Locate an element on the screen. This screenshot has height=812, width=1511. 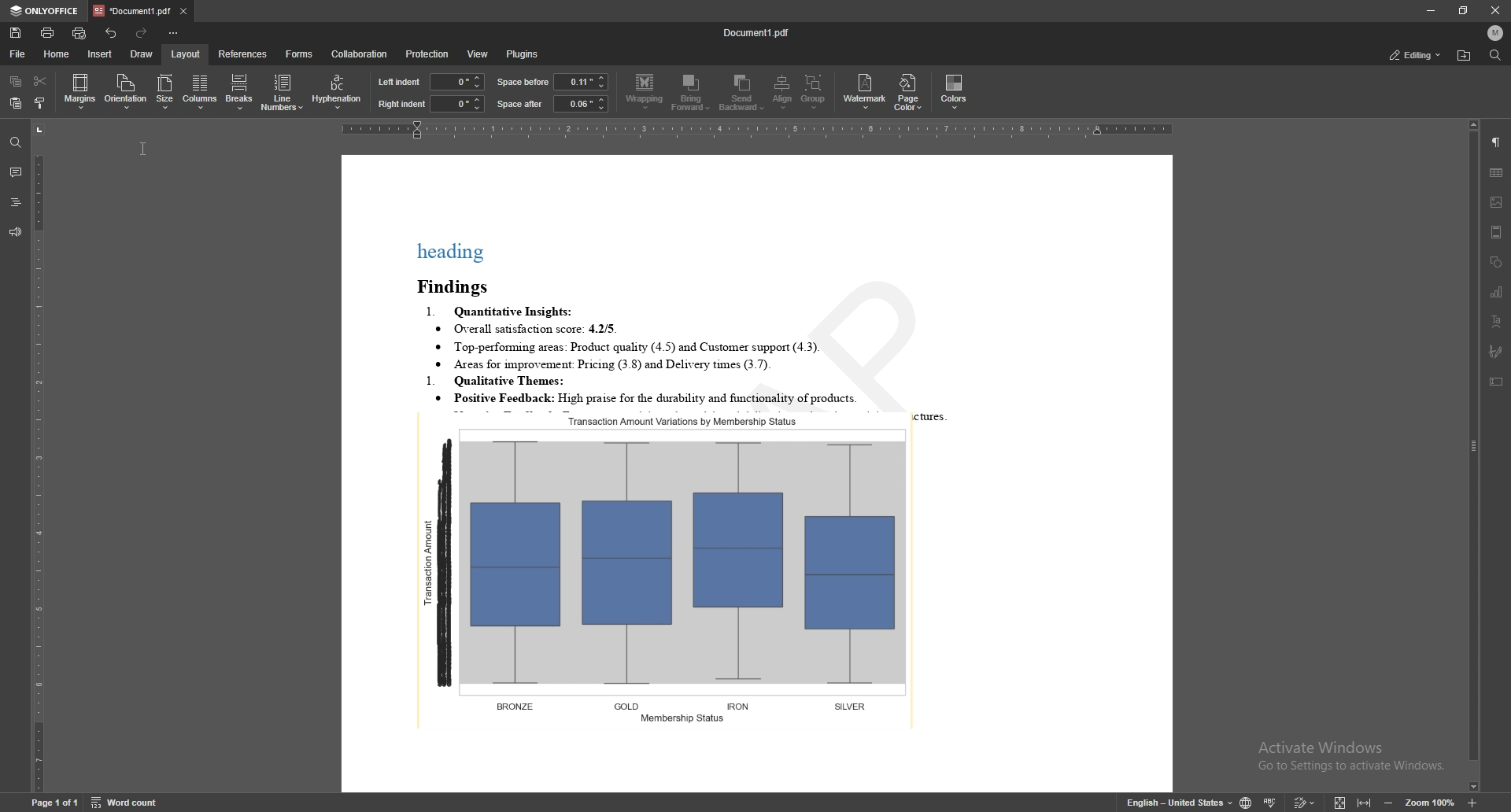
profile is located at coordinates (1497, 33).